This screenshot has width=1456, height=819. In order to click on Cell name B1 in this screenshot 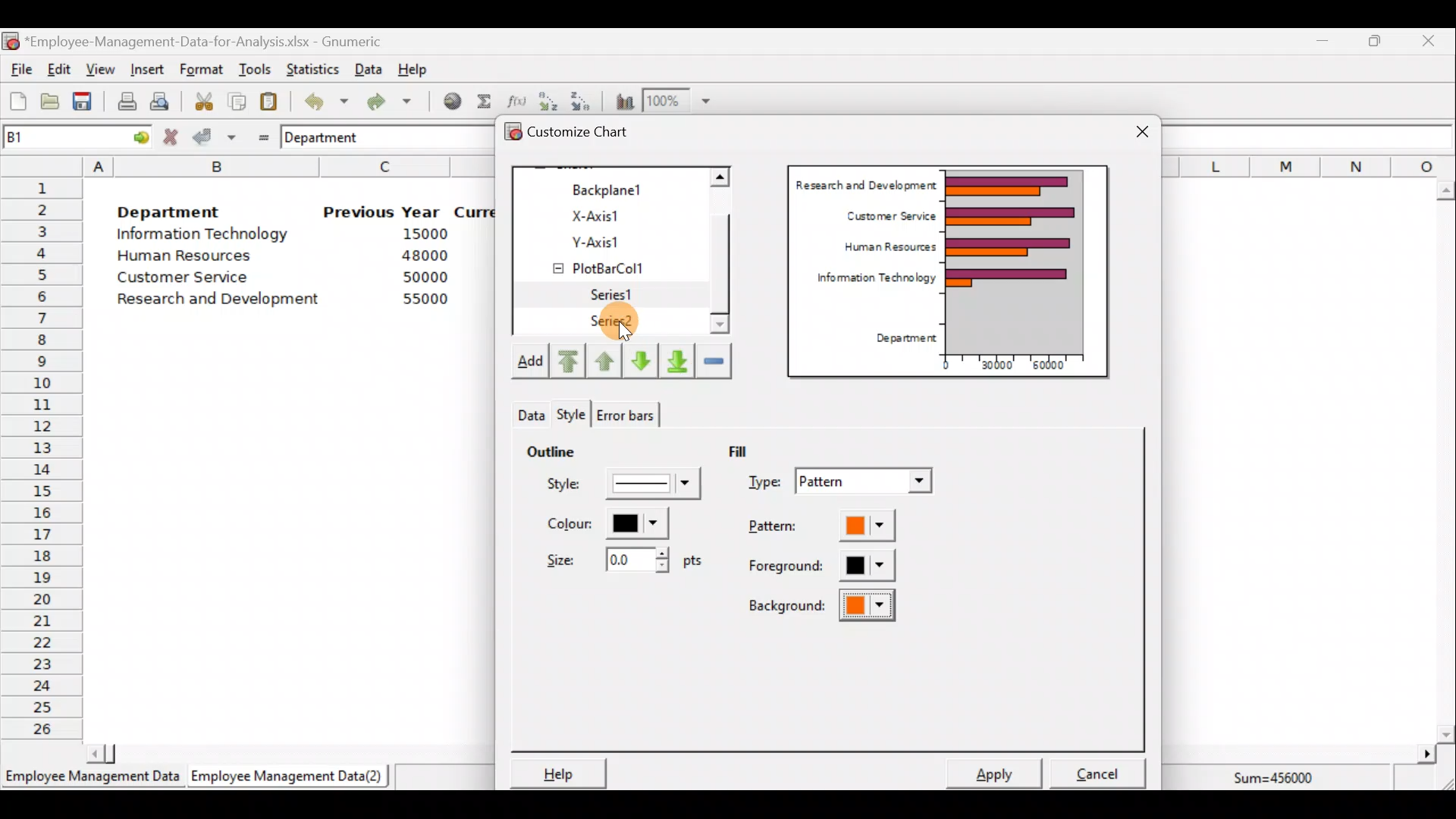, I will do `click(50, 136)`.